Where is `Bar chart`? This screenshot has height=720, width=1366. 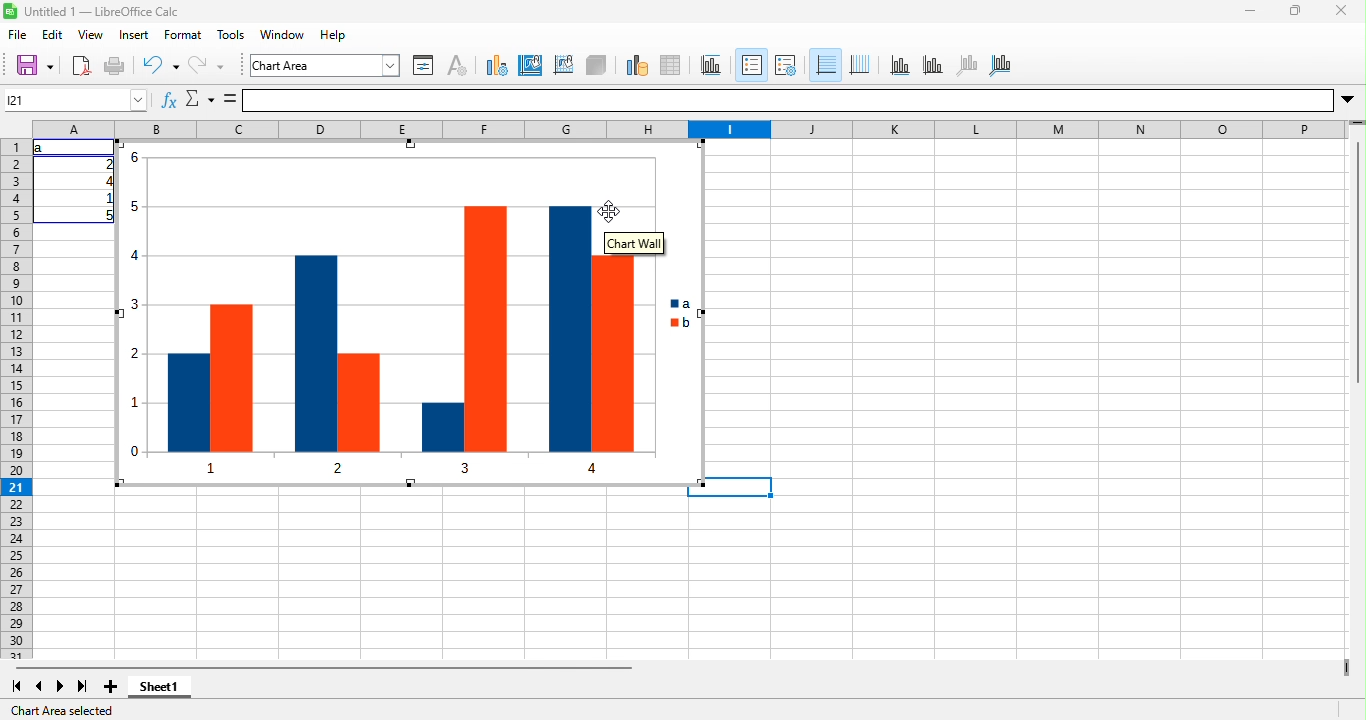 Bar chart is located at coordinates (358, 313).